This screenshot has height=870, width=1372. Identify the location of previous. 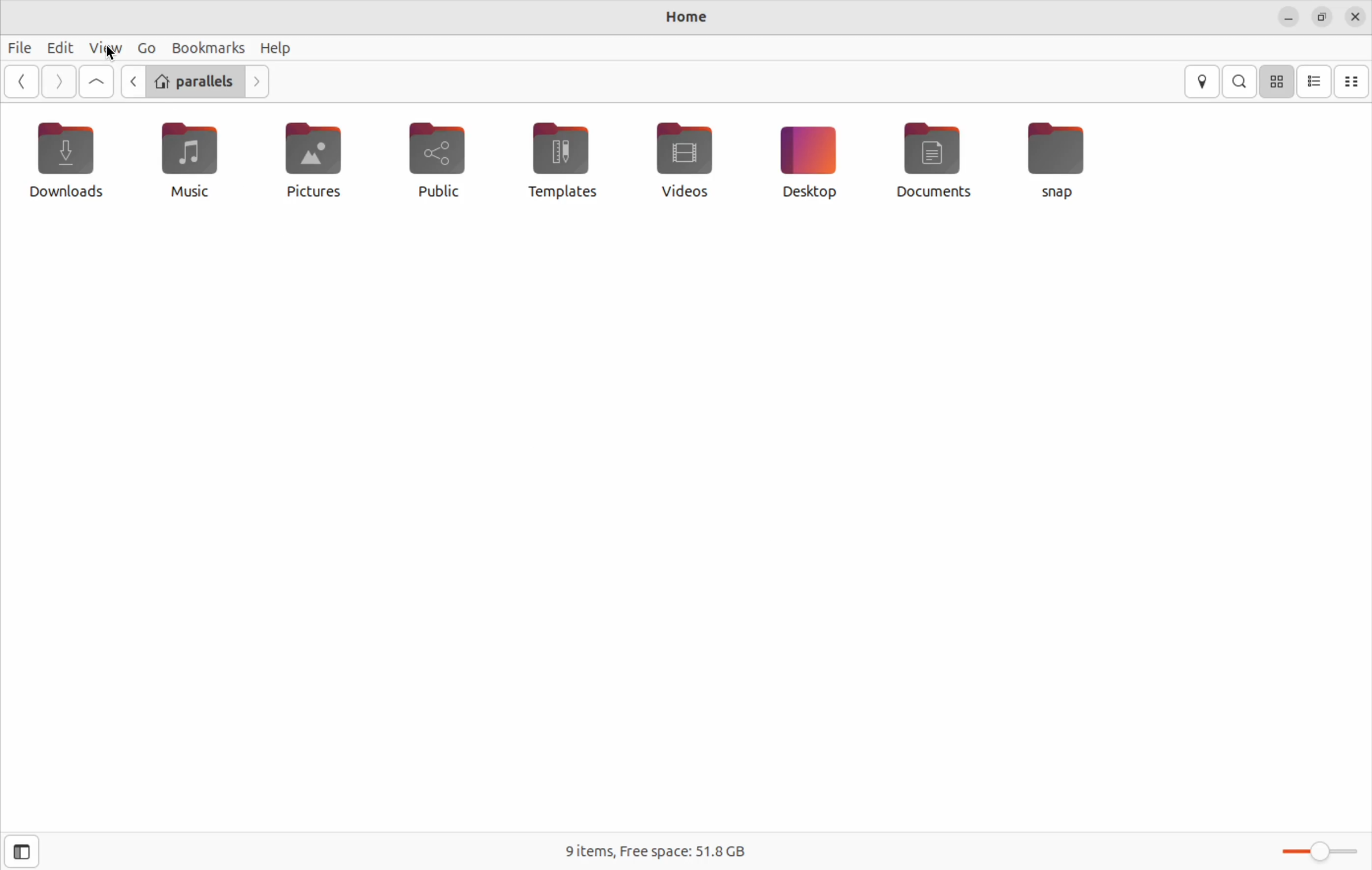
(132, 81).